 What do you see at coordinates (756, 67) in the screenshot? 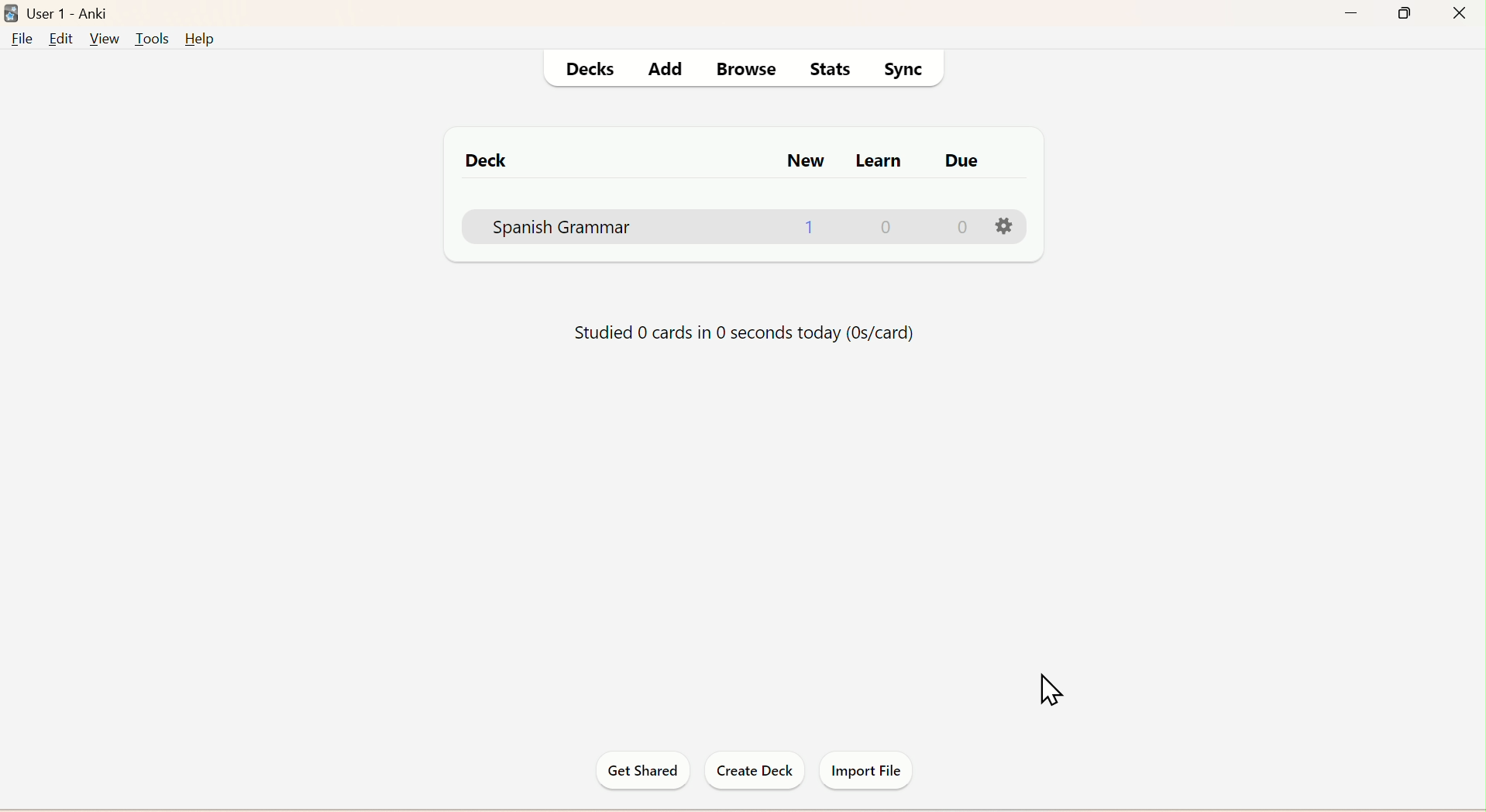
I see `Browse` at bounding box center [756, 67].